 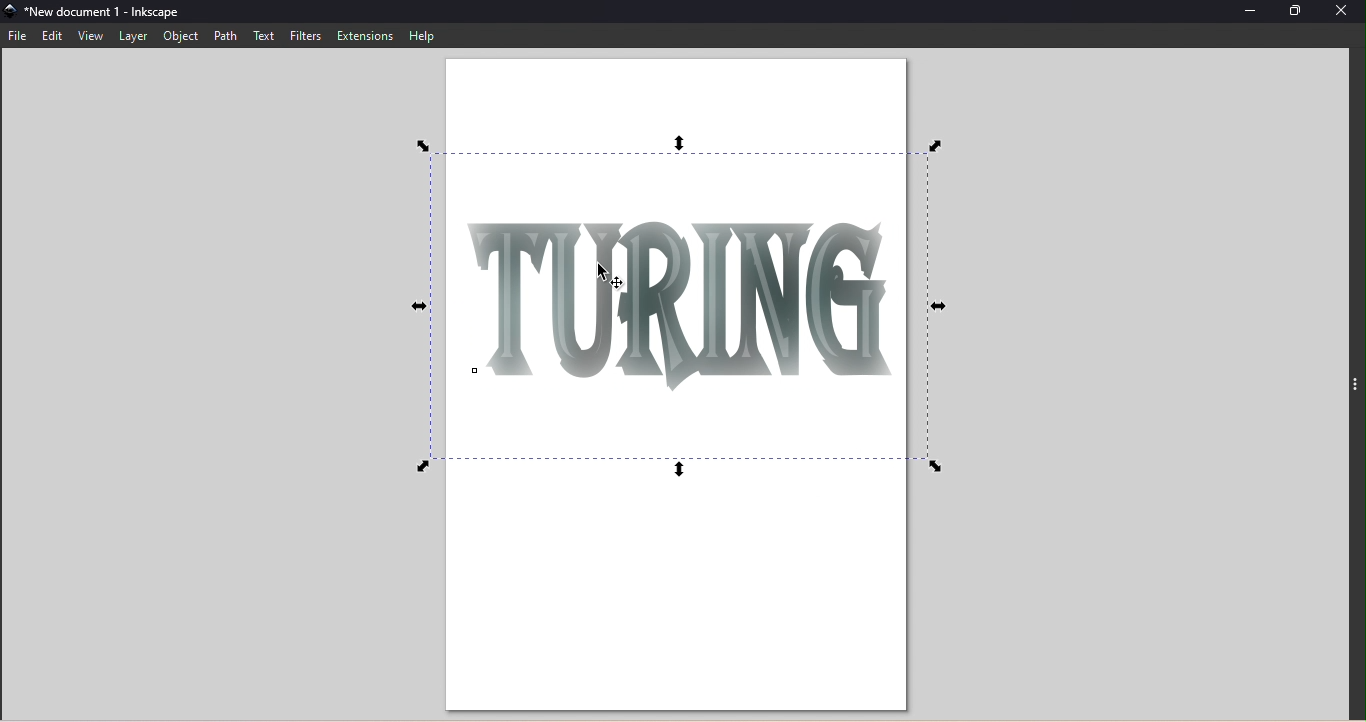 What do you see at coordinates (364, 34) in the screenshot?
I see `Extensions` at bounding box center [364, 34].